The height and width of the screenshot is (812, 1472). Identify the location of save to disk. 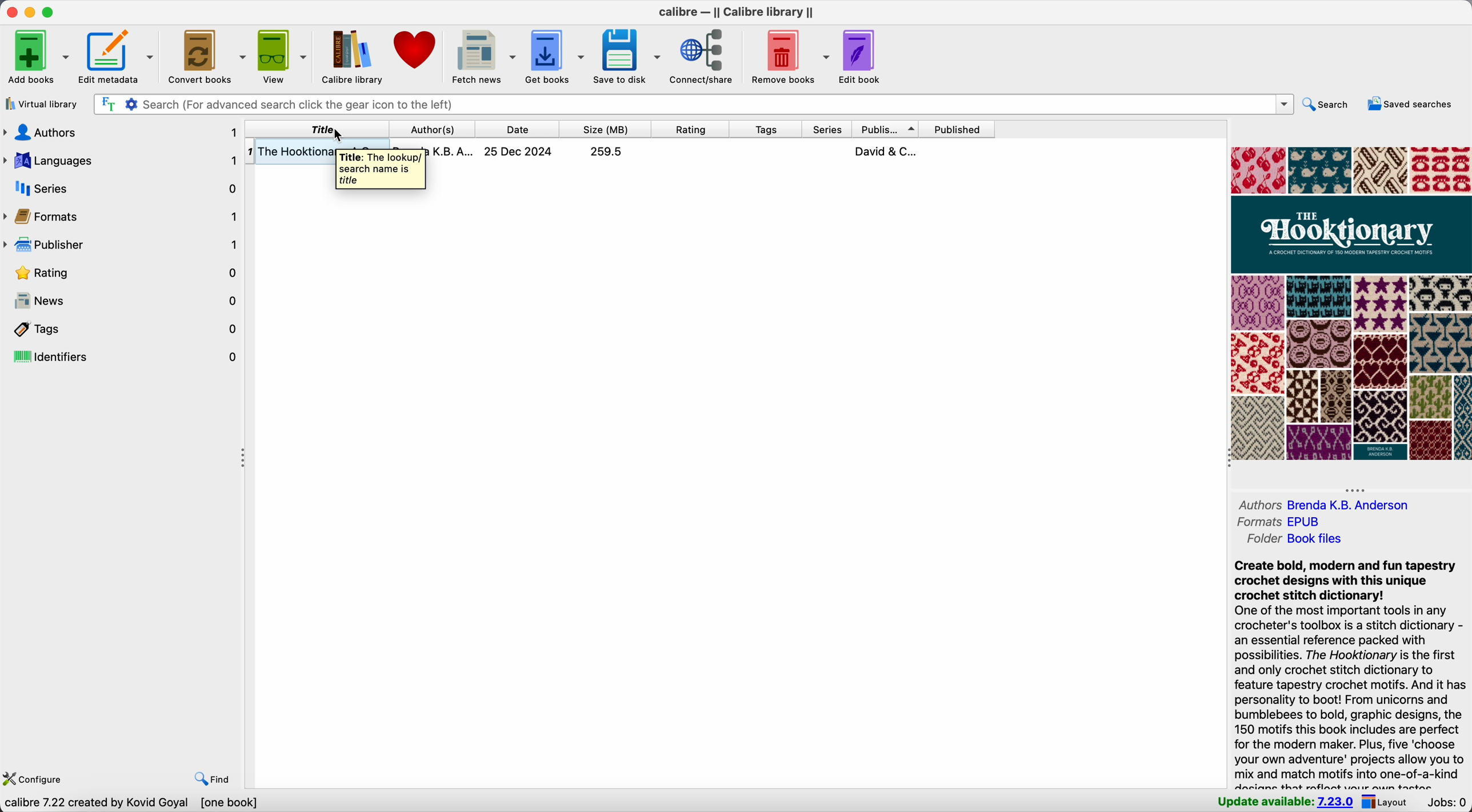
(627, 58).